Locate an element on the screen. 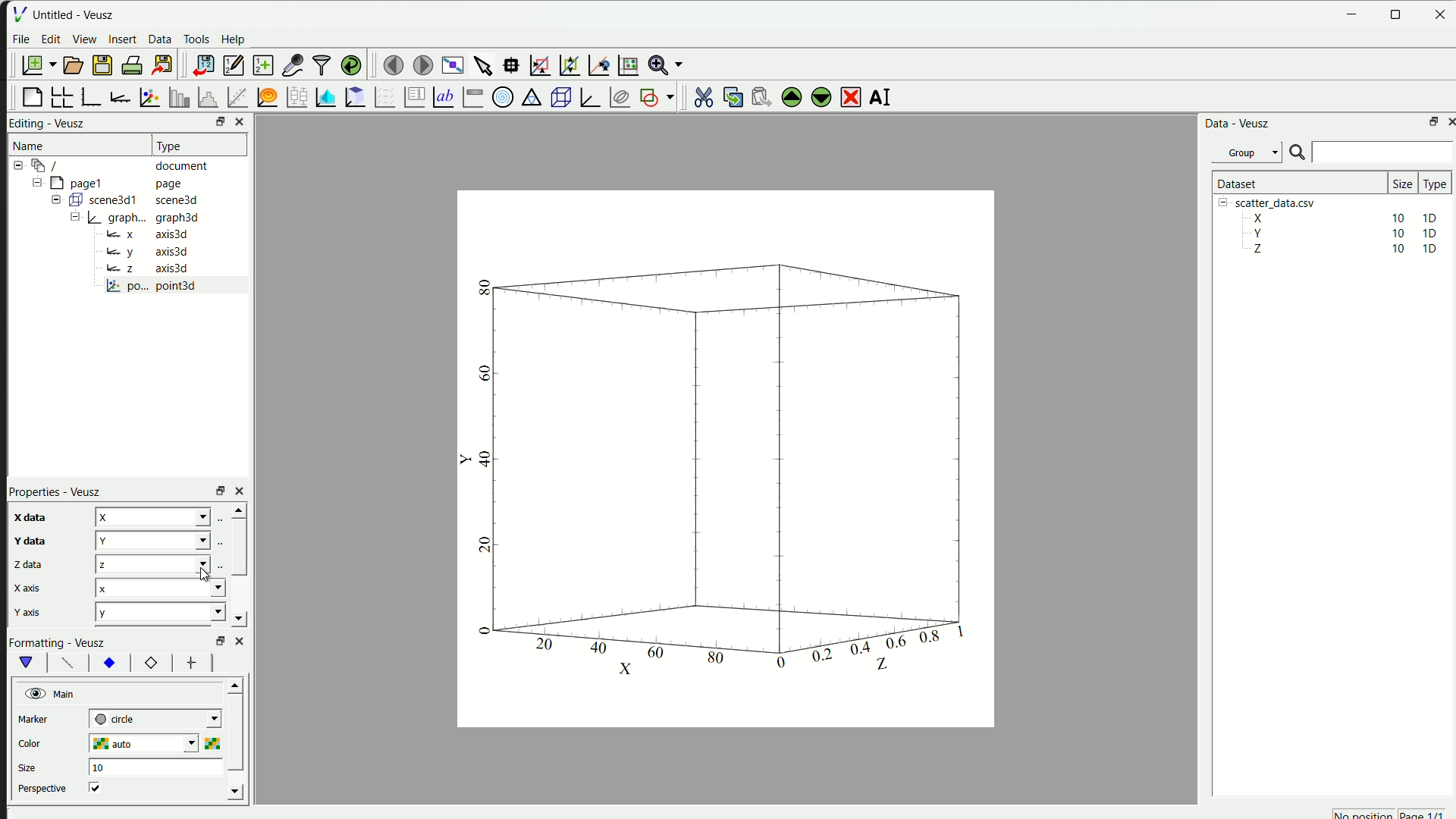 This screenshot has width=1456, height=819. = | graph... graph3d is located at coordinates (142, 219).